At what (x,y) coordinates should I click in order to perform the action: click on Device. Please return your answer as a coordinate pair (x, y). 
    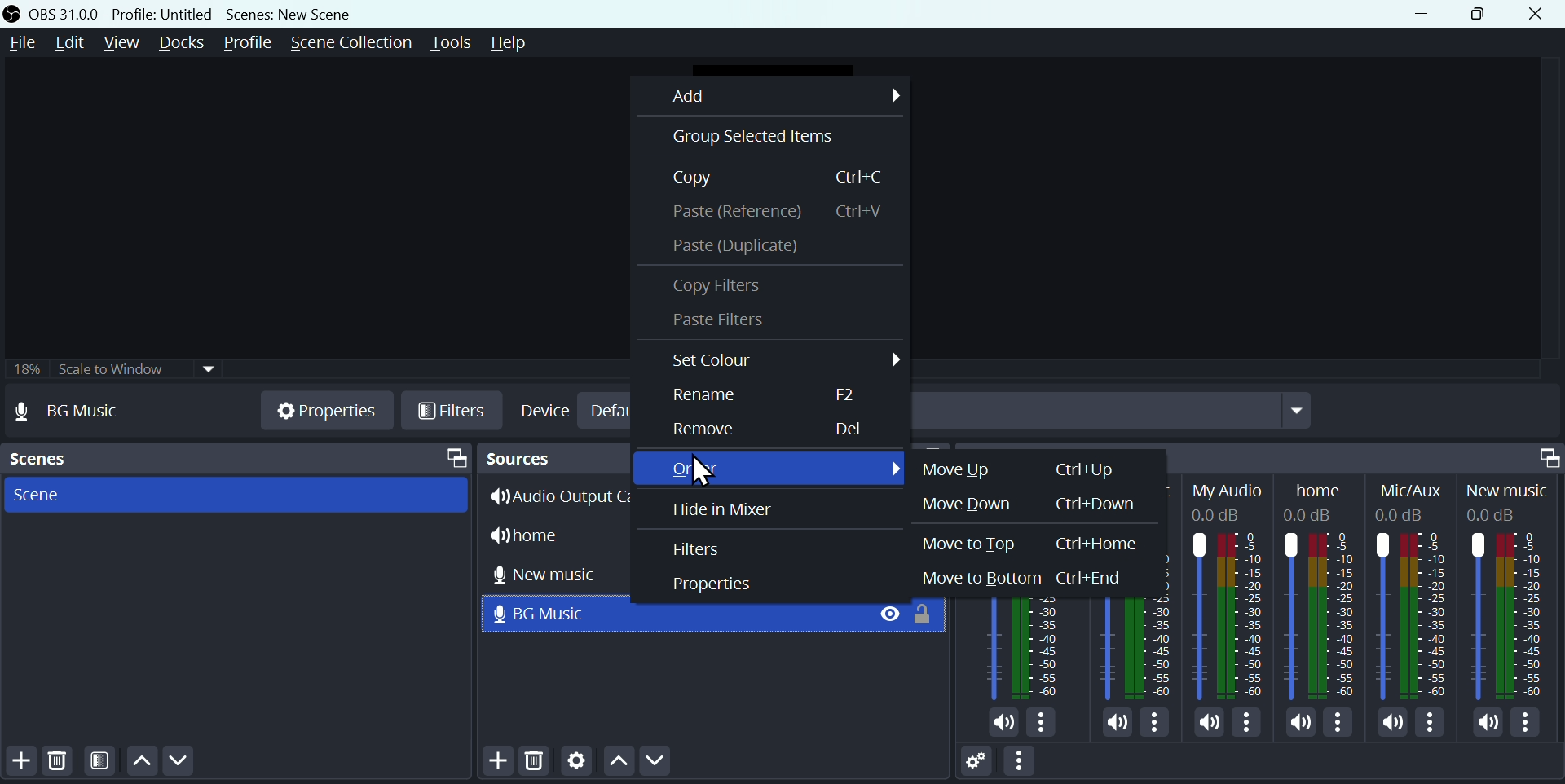
    Looking at the image, I should click on (546, 409).